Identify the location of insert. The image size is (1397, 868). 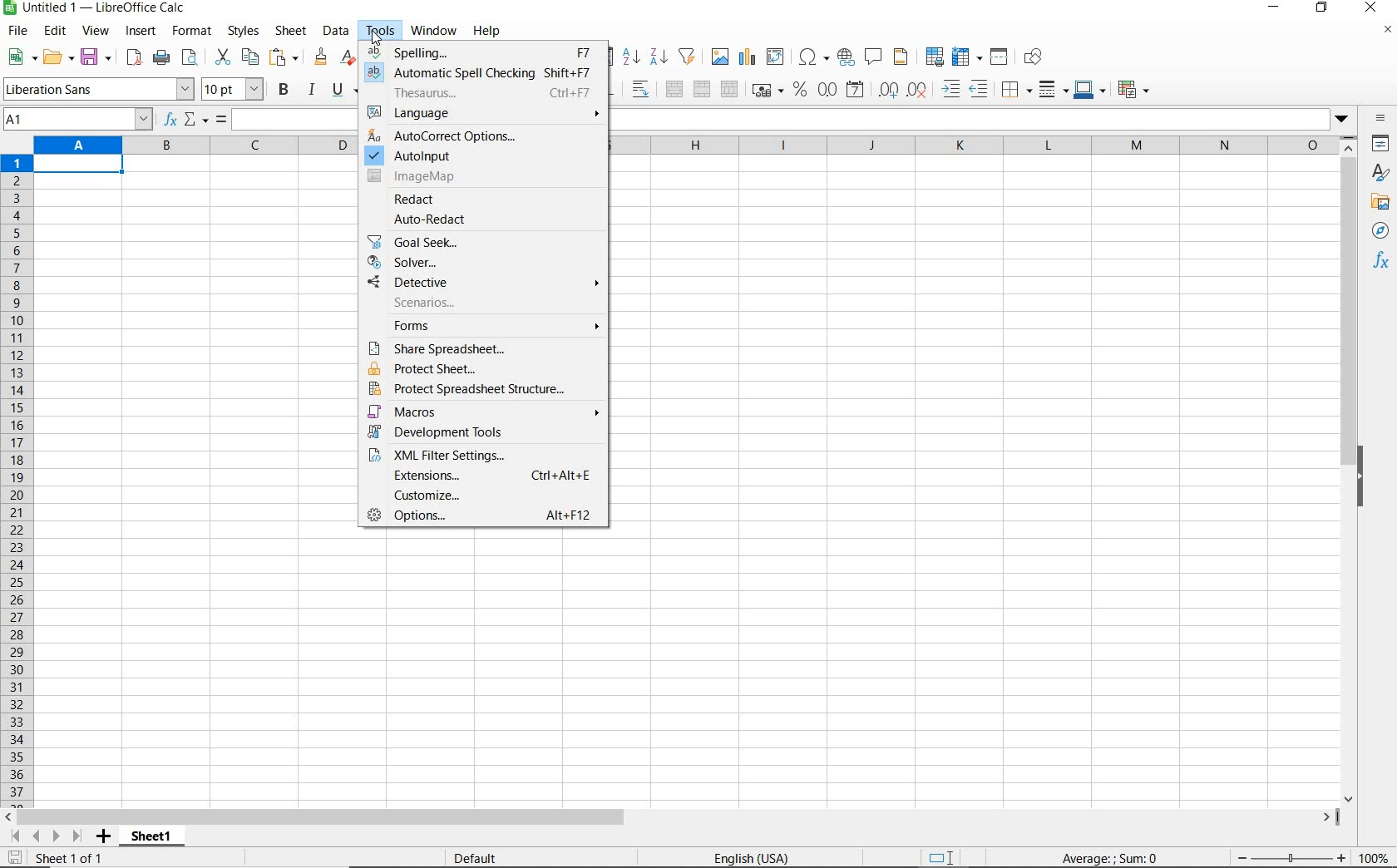
(142, 31).